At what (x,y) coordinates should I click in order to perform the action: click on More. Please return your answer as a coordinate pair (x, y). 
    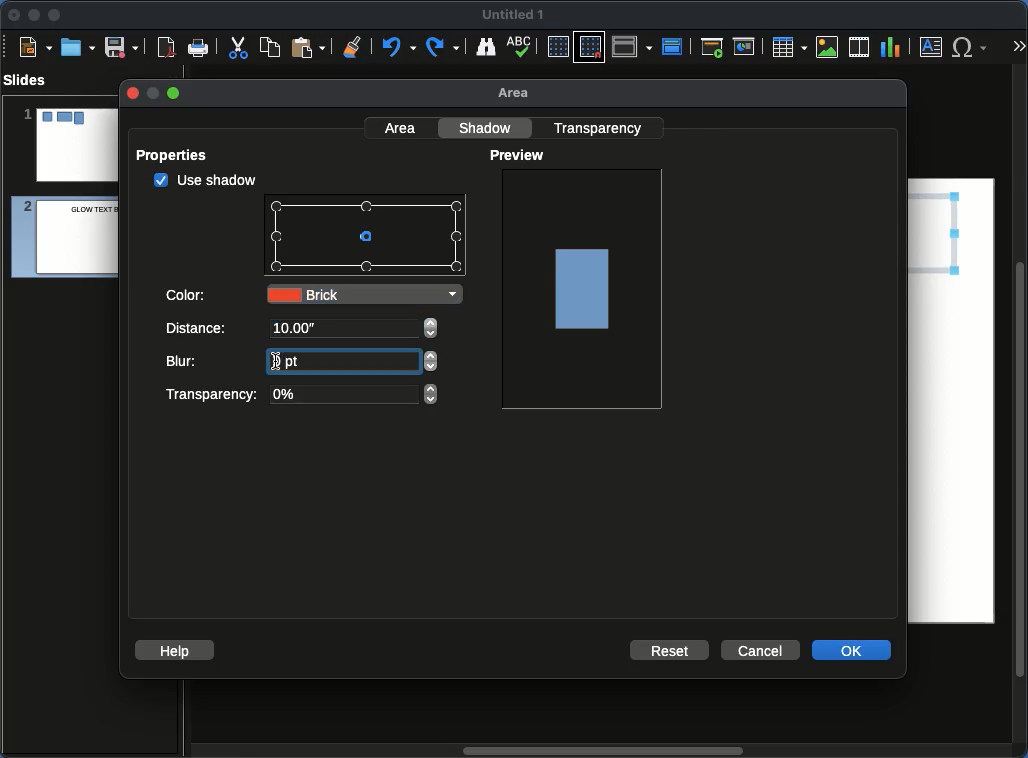
    Looking at the image, I should click on (1018, 48).